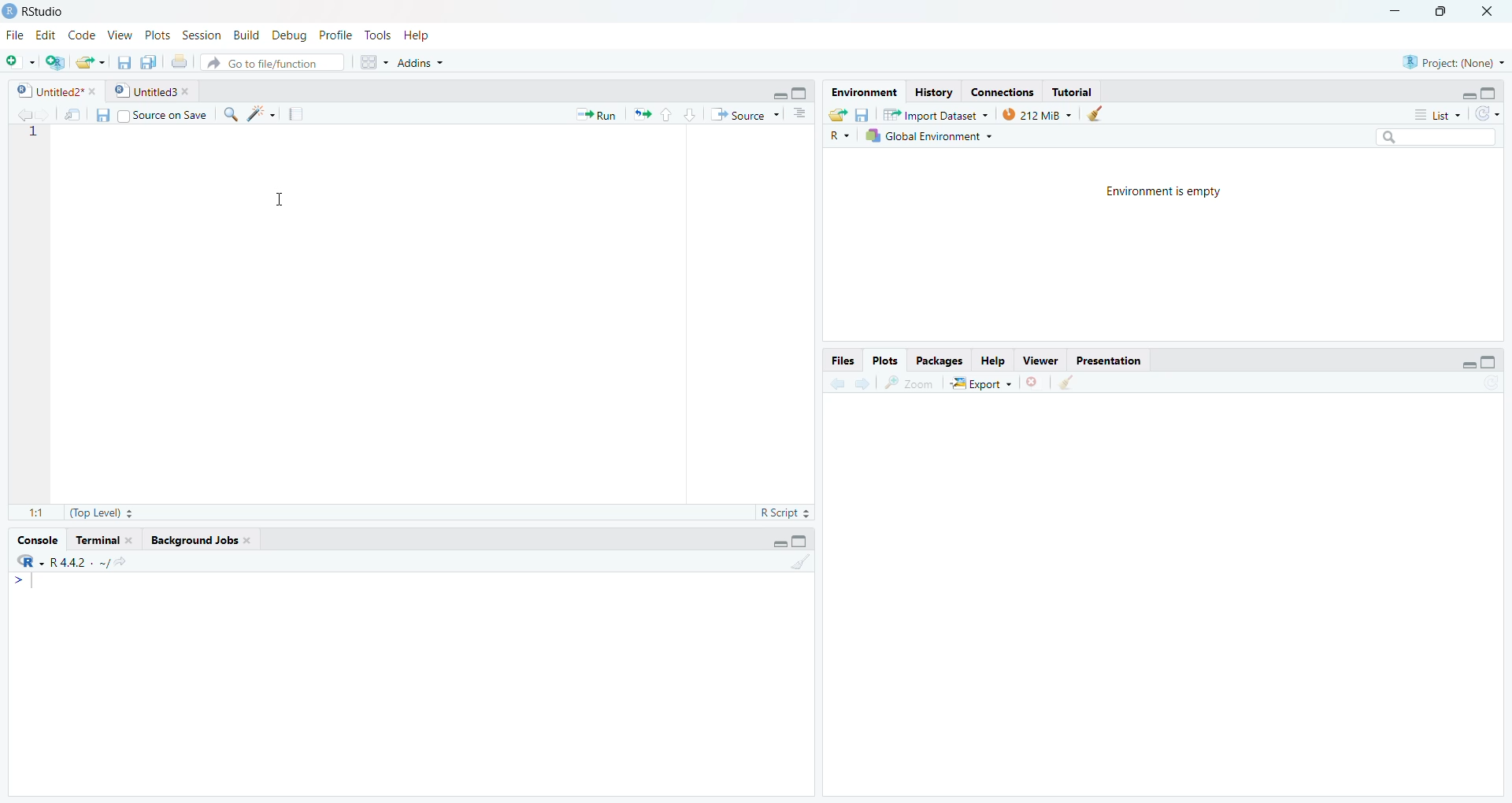  I want to click on minimize, so click(1458, 94).